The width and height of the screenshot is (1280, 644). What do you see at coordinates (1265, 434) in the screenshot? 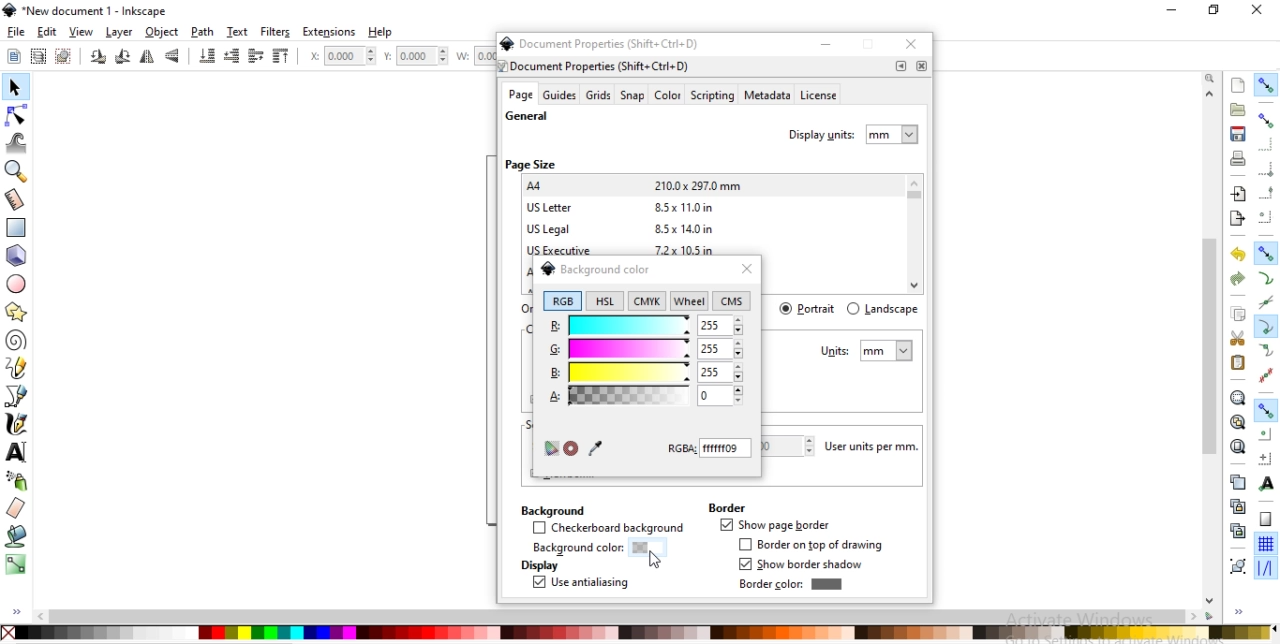
I see `snap centers of objects` at bounding box center [1265, 434].